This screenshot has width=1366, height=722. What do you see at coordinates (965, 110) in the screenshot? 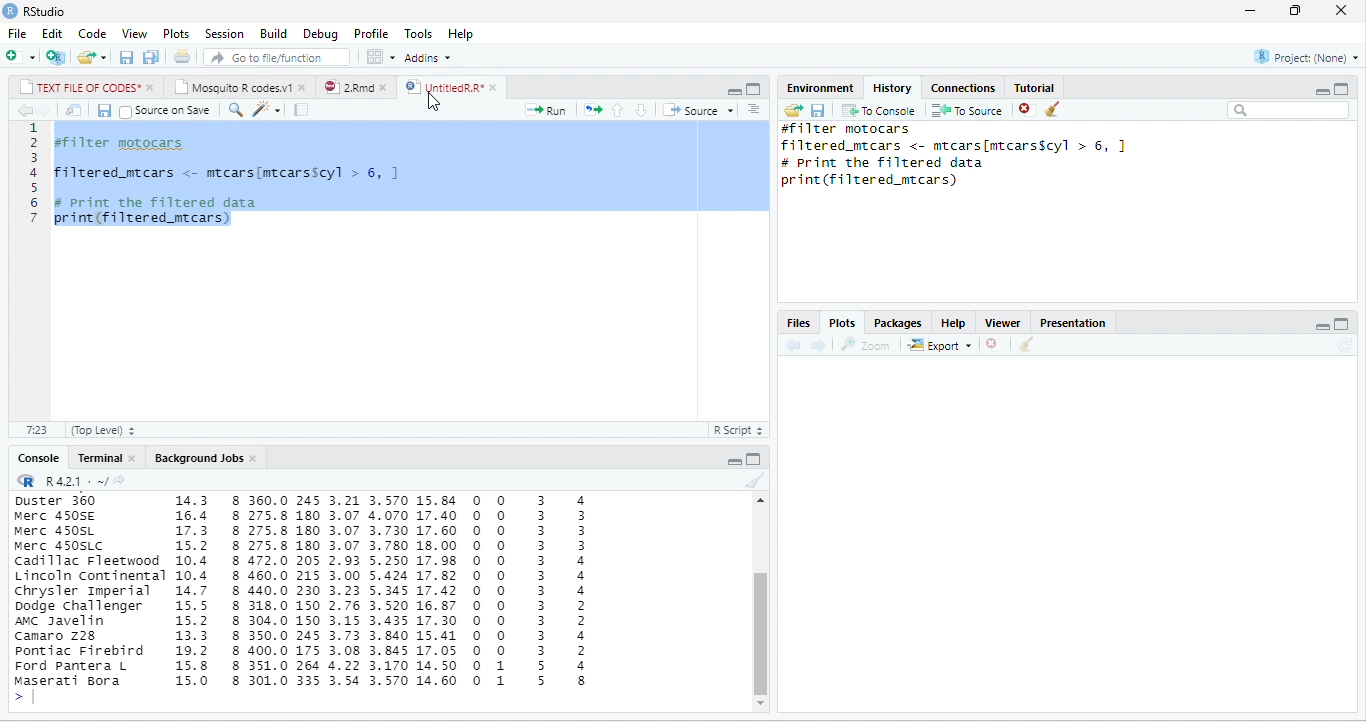
I see `To source` at bounding box center [965, 110].